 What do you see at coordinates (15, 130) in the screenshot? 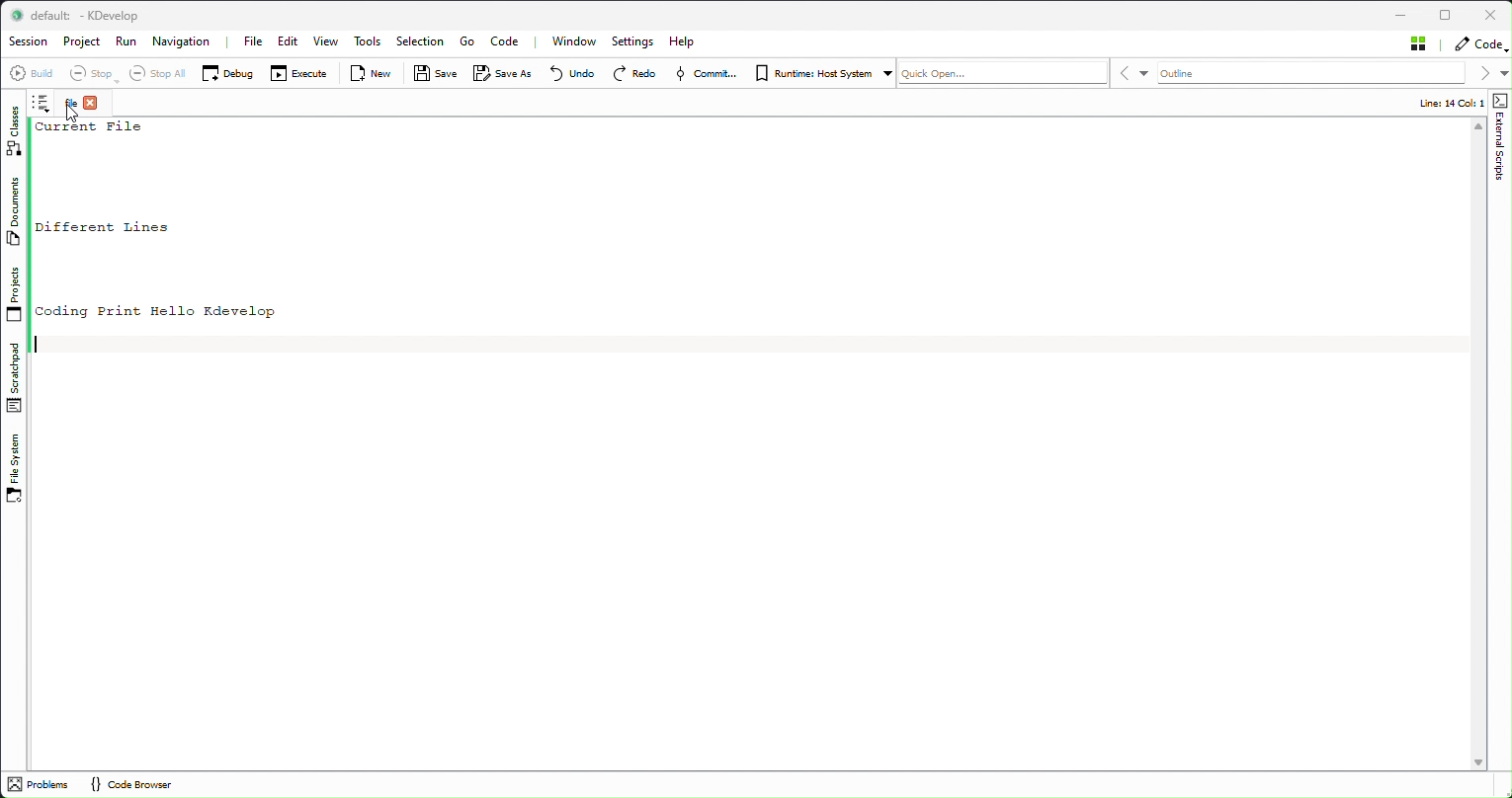
I see `Classes` at bounding box center [15, 130].